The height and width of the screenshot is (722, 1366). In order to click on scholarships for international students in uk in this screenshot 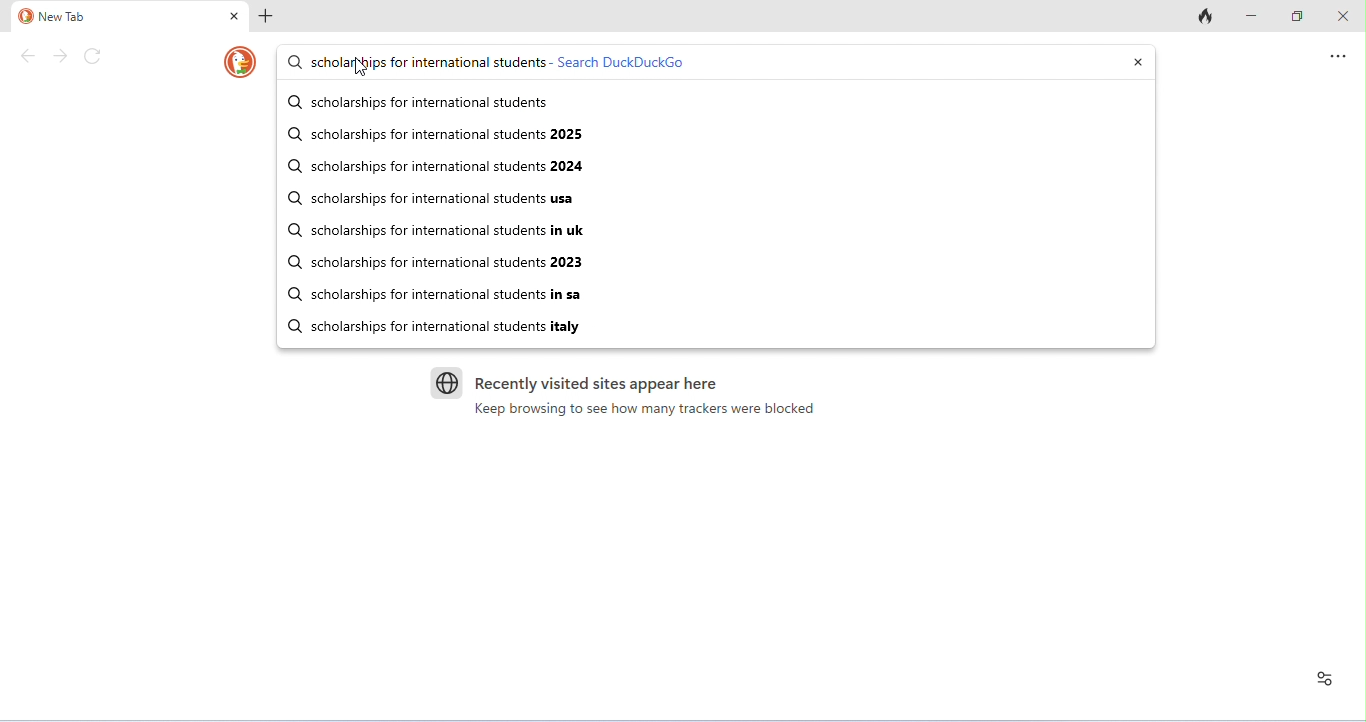, I will do `click(447, 231)`.